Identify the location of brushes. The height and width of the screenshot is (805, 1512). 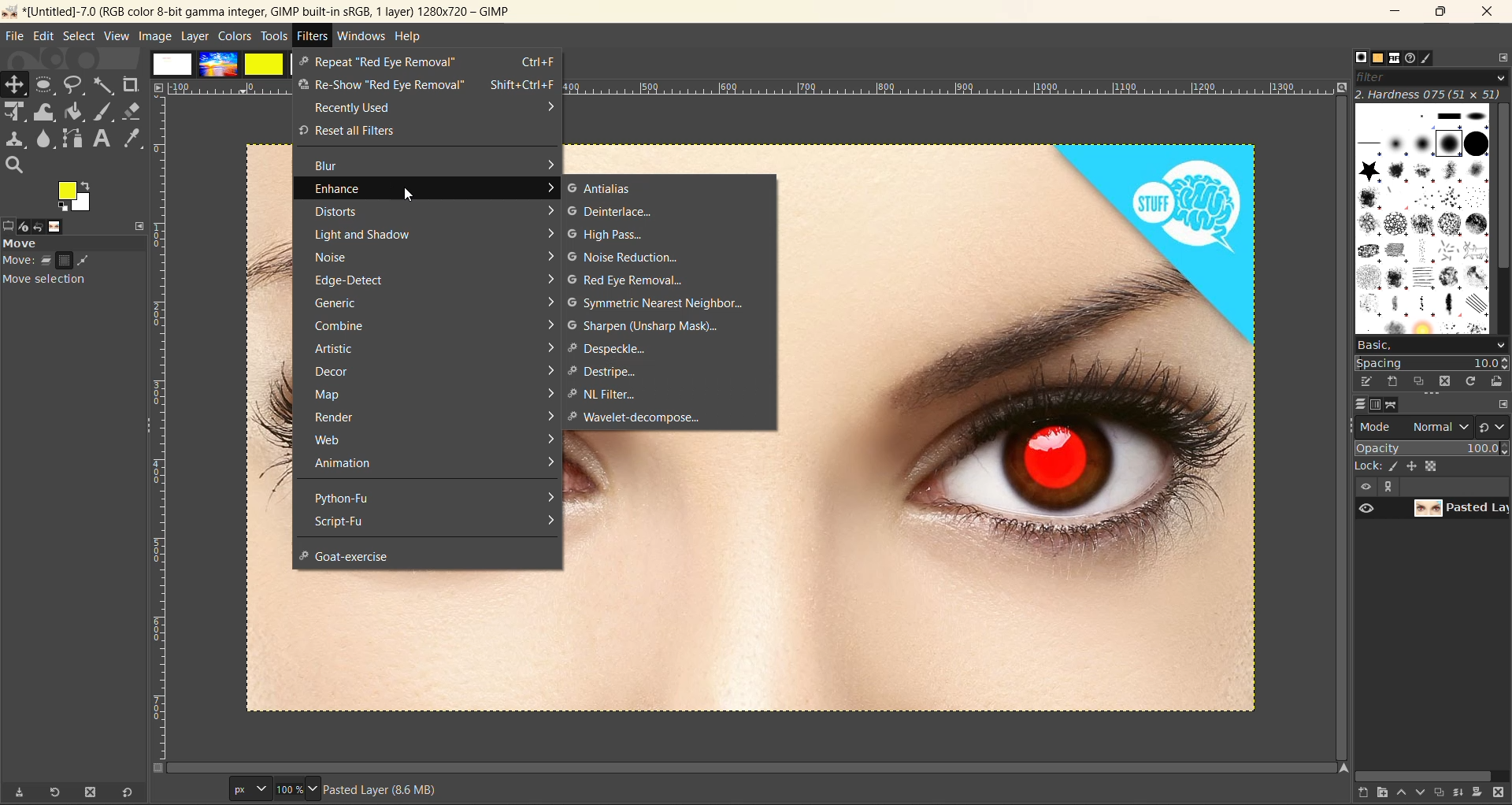
(1421, 219).